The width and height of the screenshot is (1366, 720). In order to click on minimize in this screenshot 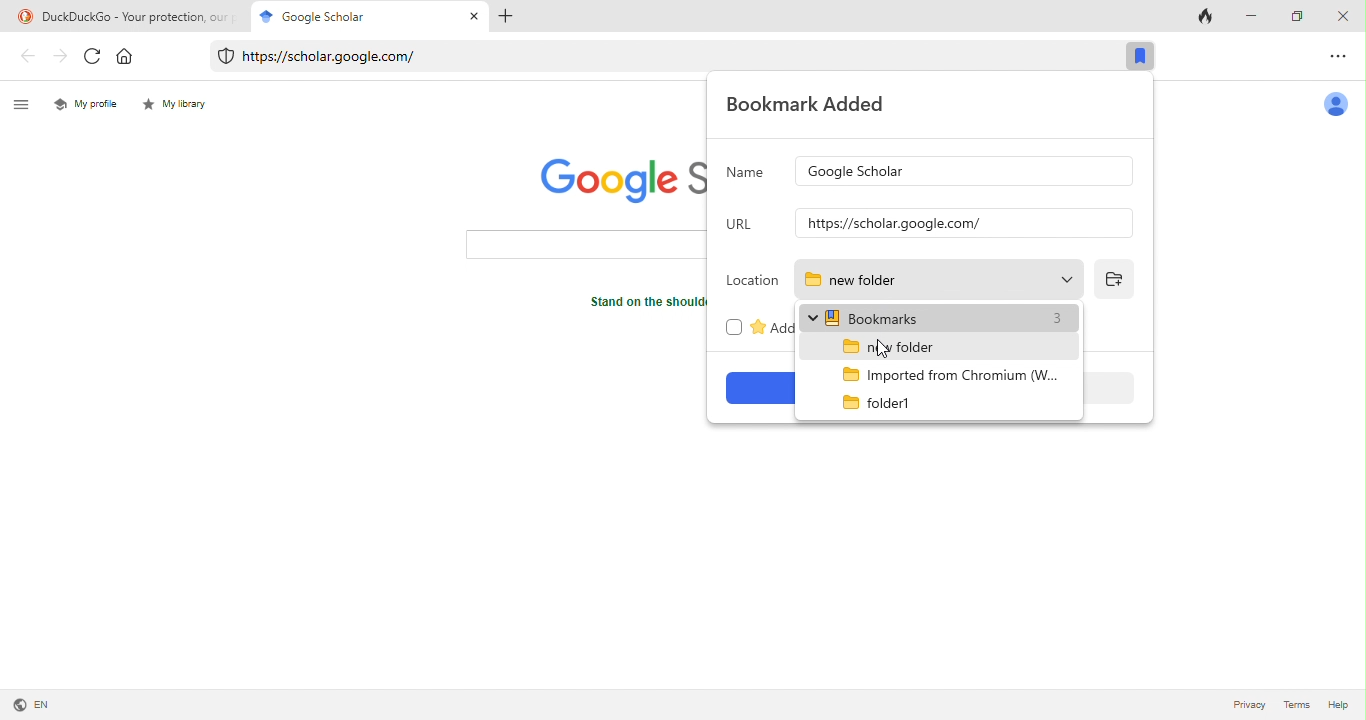, I will do `click(1253, 15)`.